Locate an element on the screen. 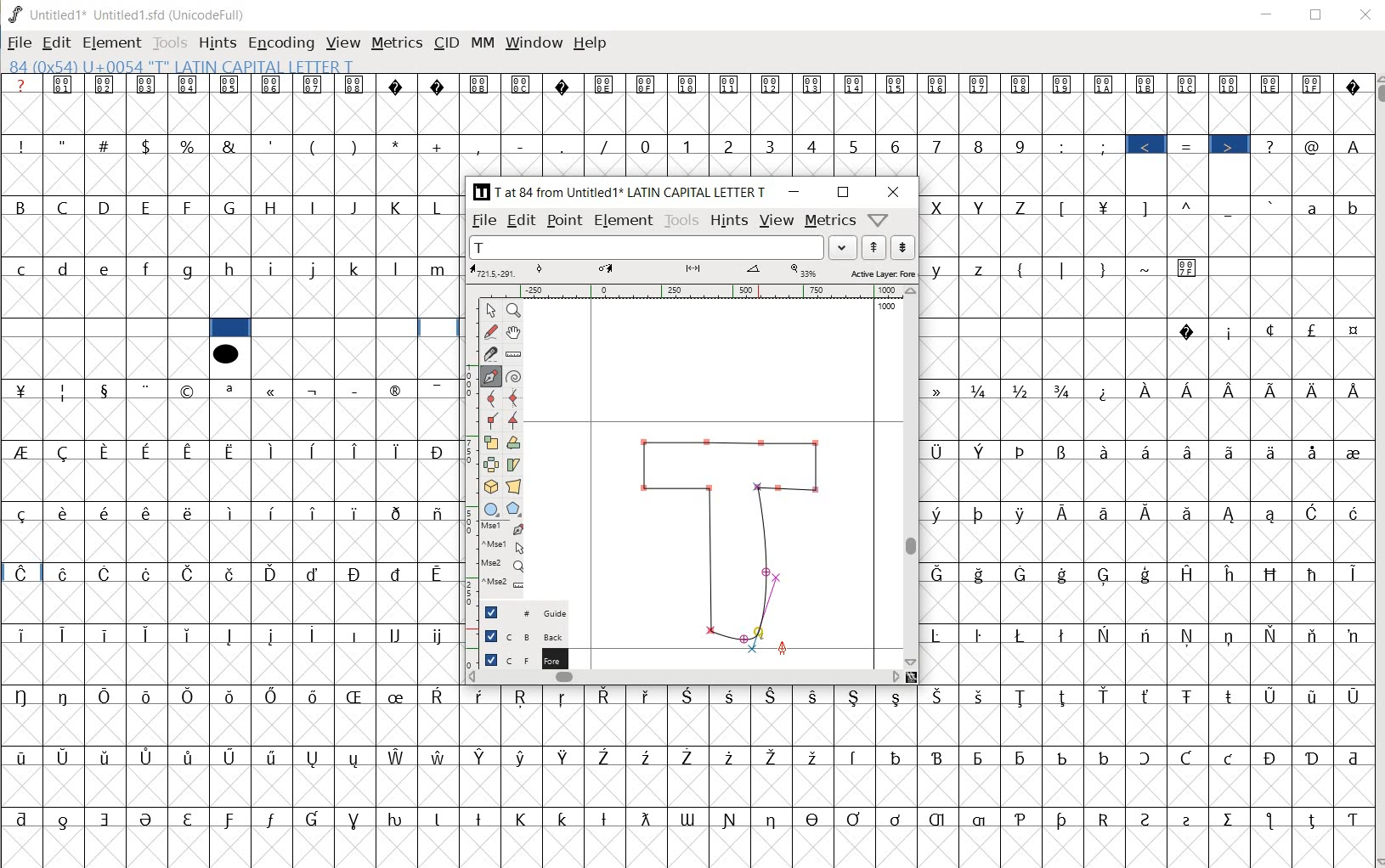  skew is located at coordinates (517, 465).